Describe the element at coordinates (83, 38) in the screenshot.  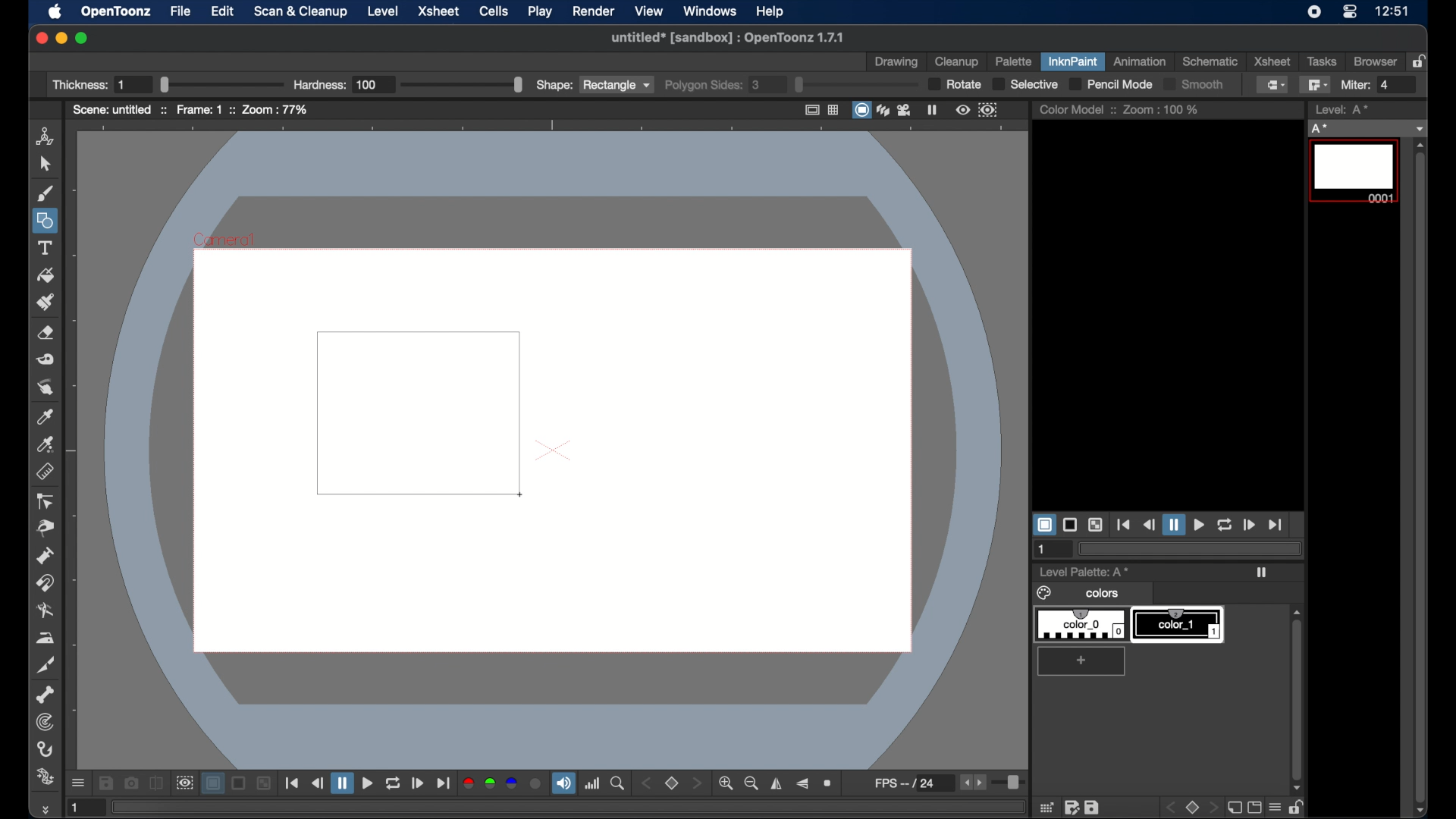
I see `maximize` at that location.